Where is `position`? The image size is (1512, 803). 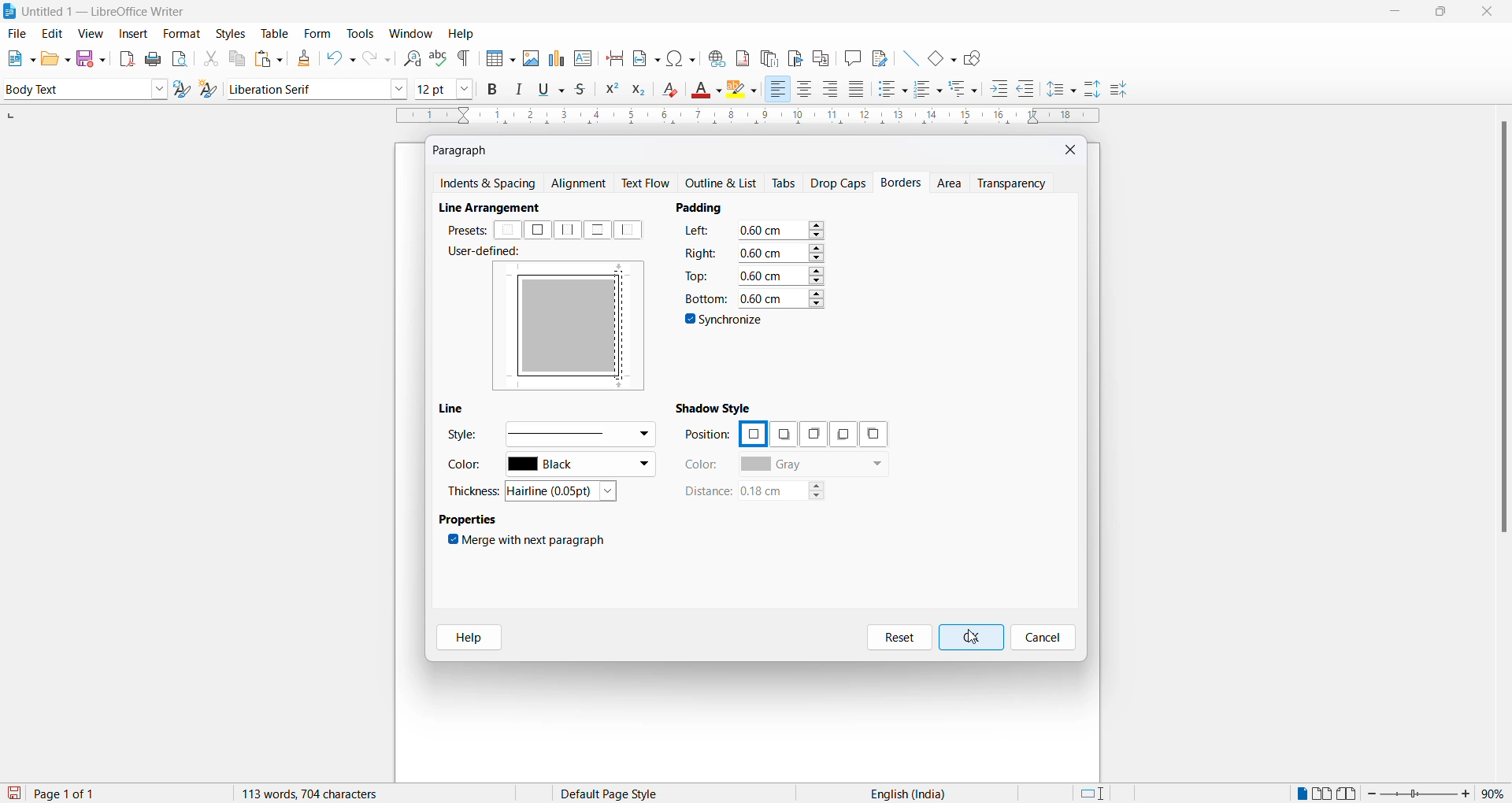 position is located at coordinates (707, 435).